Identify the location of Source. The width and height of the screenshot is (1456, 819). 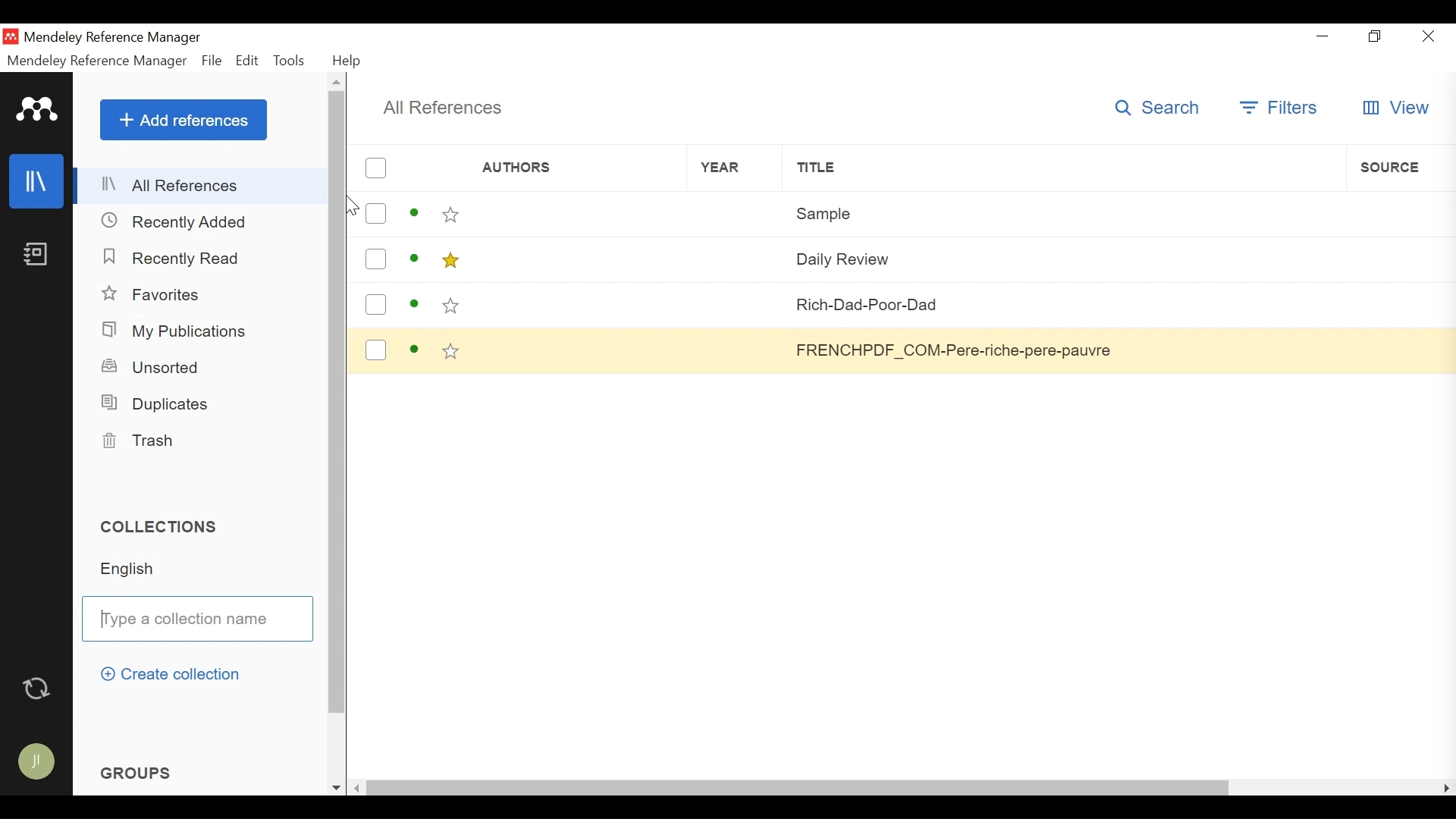
(1396, 305).